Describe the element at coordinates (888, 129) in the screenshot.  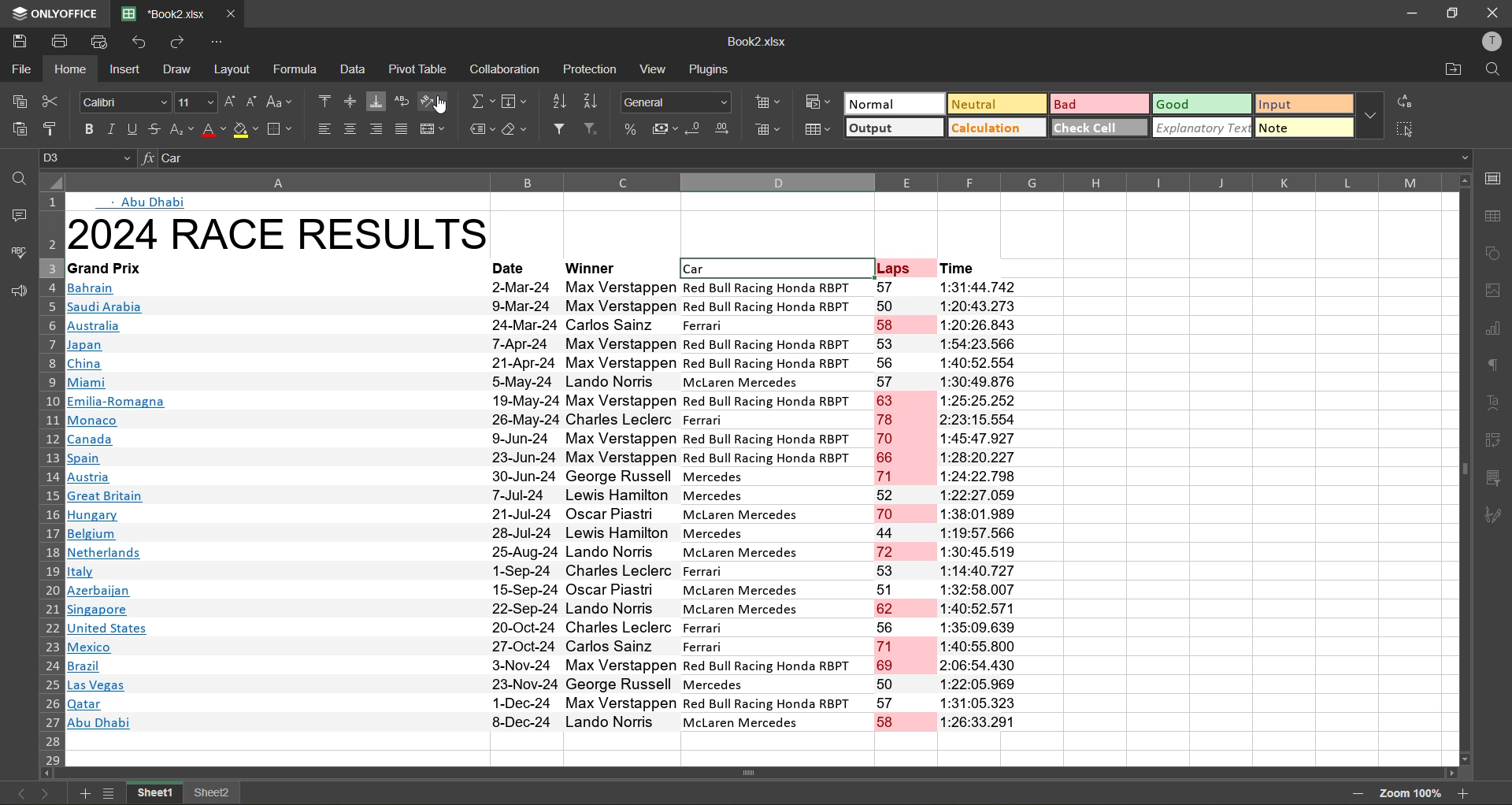
I see `output` at that location.